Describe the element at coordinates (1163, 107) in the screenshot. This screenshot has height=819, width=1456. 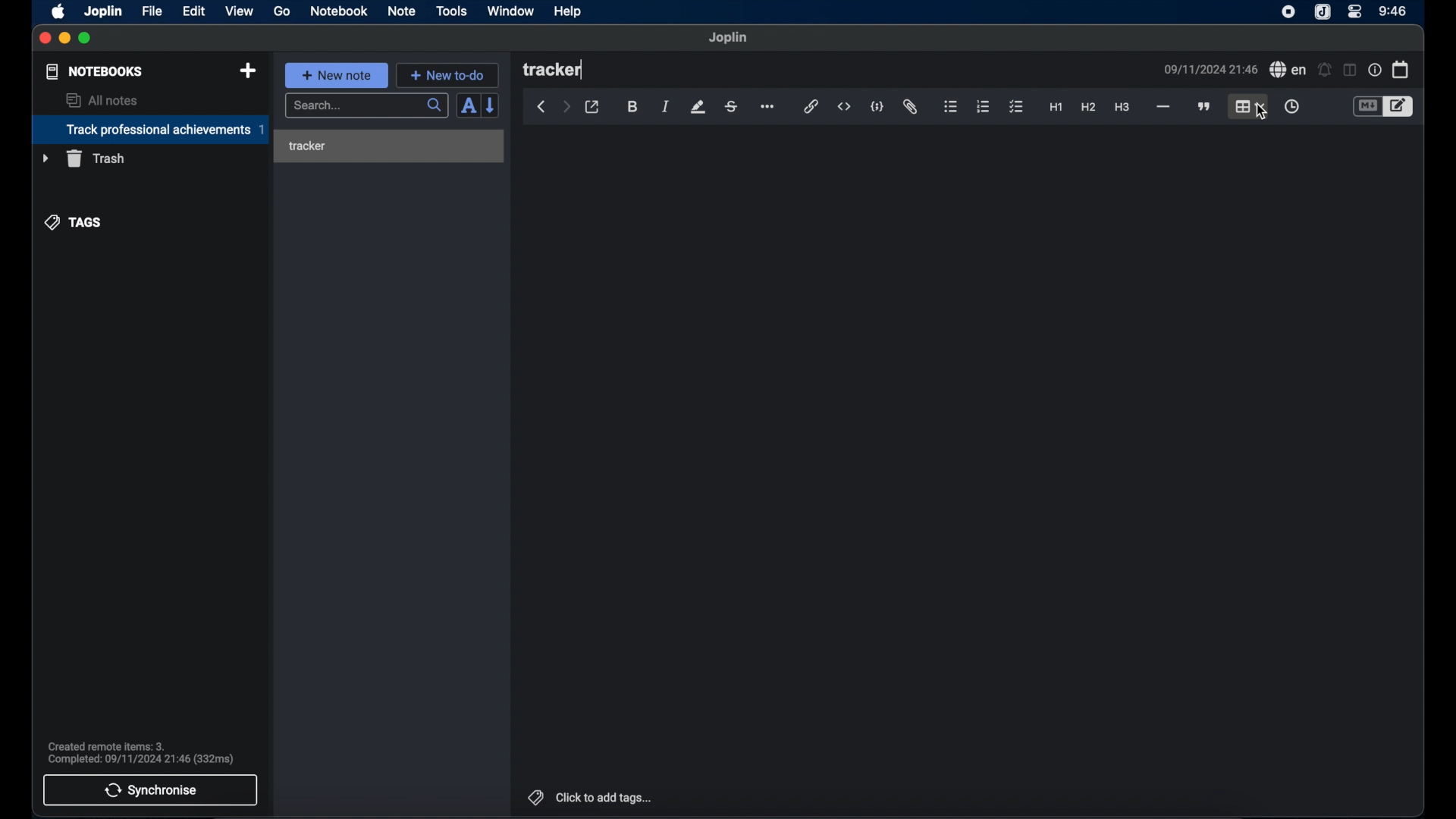
I see `horizontal line` at that location.